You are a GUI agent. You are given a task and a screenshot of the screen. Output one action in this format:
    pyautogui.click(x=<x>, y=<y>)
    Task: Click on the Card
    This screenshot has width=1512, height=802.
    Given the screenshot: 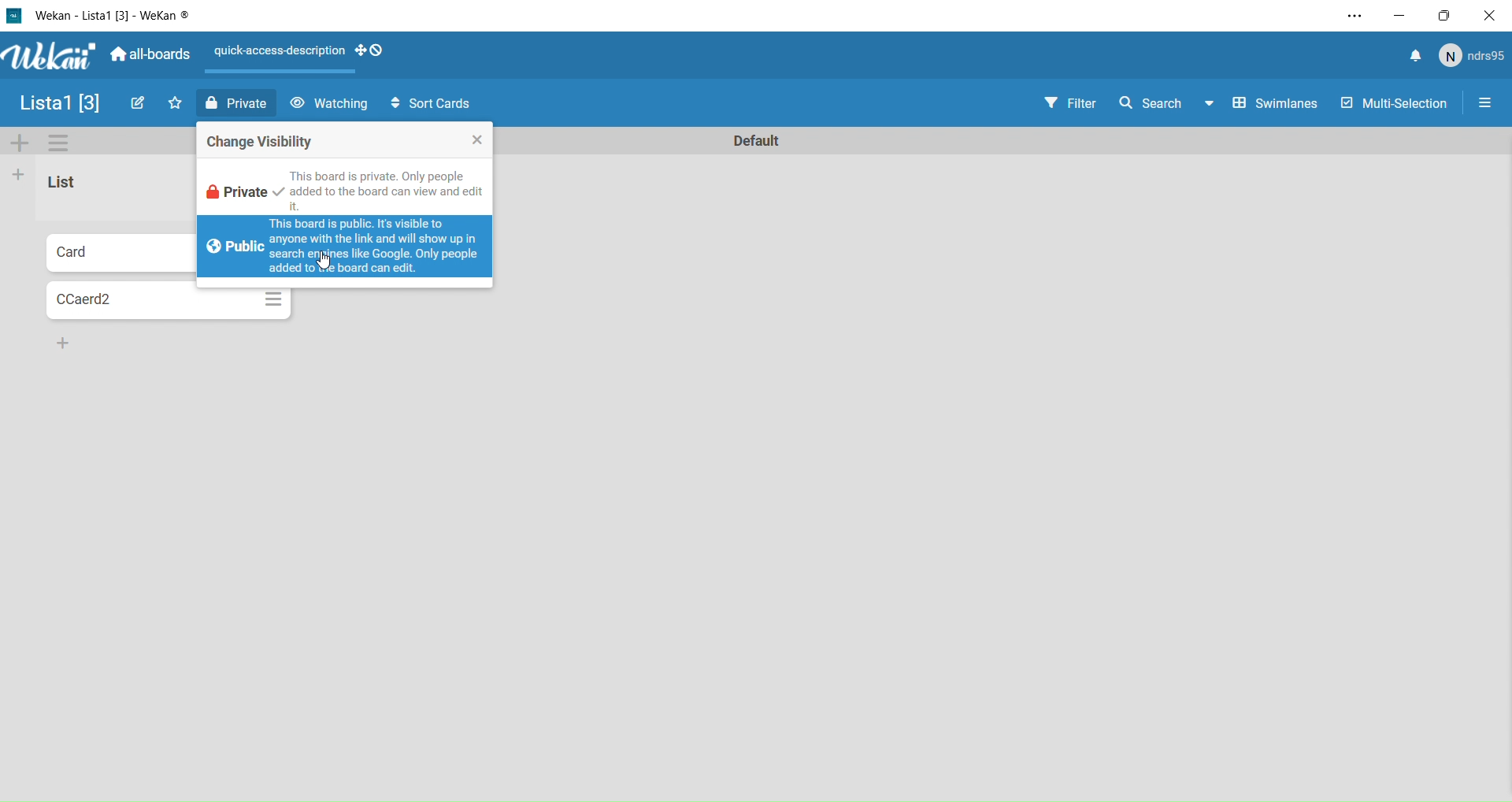 What is the action you would take?
    pyautogui.click(x=116, y=252)
    